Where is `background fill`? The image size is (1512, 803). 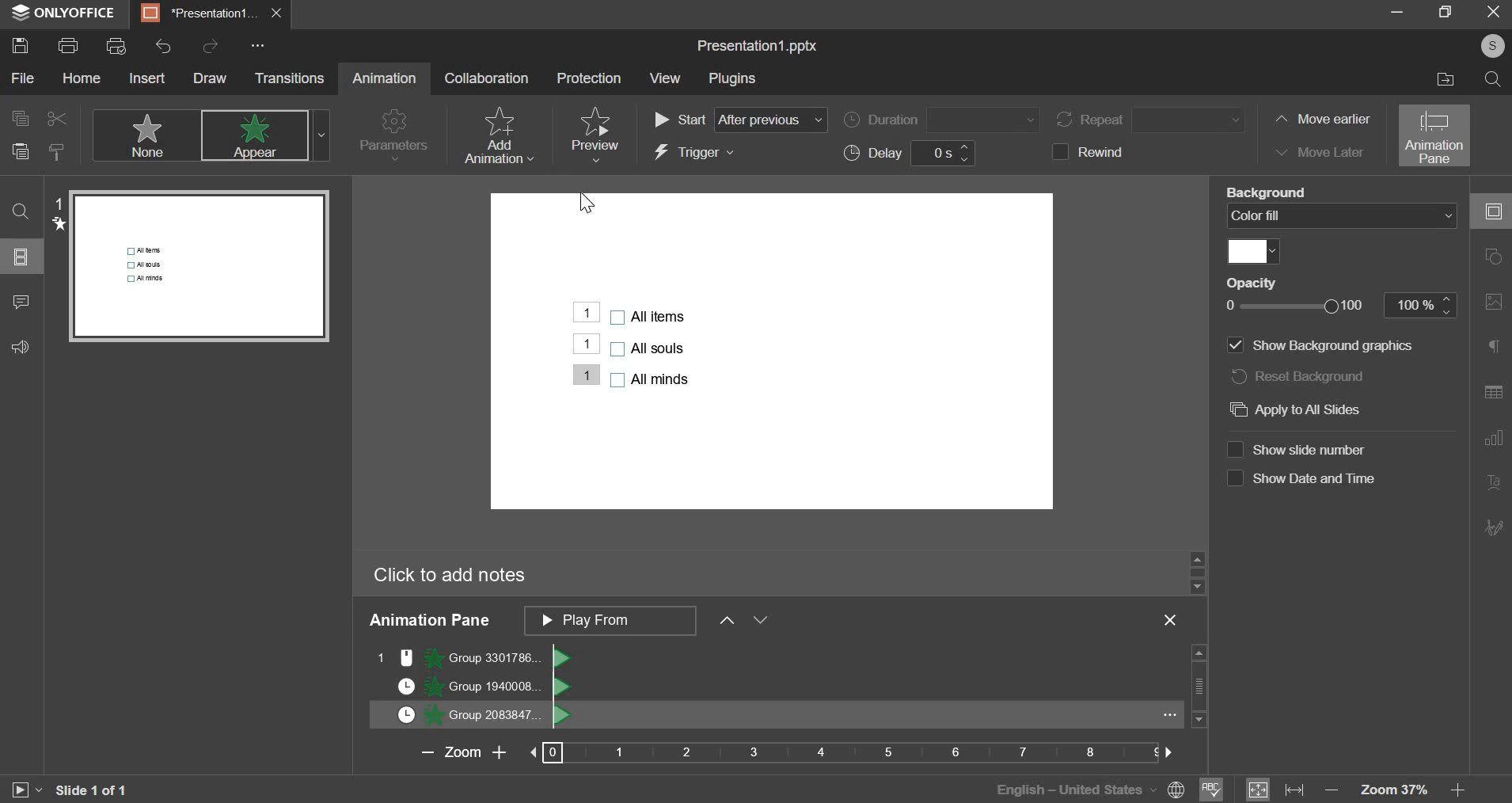
background fill is located at coordinates (1344, 215).